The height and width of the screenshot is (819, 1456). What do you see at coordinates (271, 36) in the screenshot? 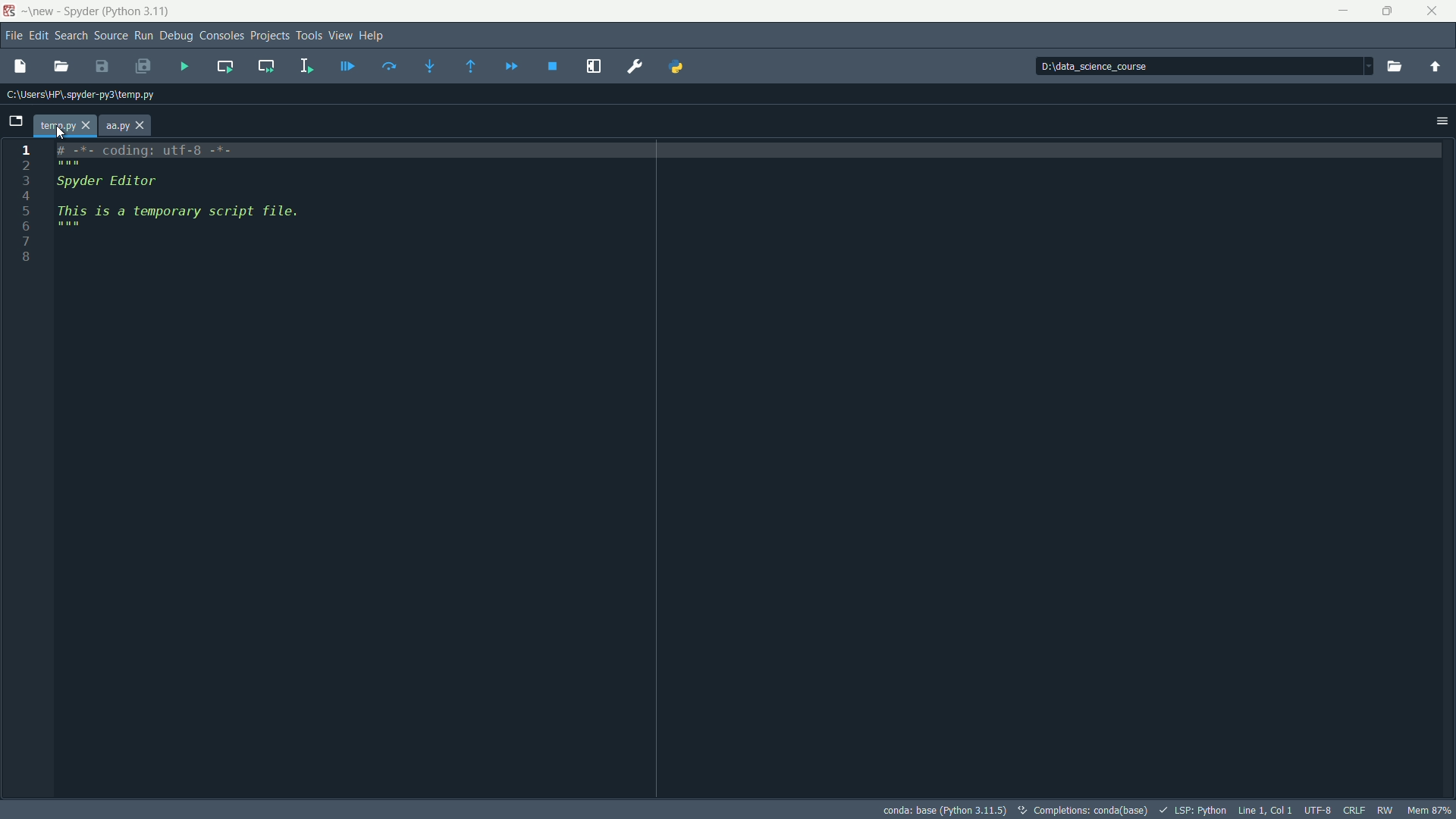
I see `projects menu` at bounding box center [271, 36].